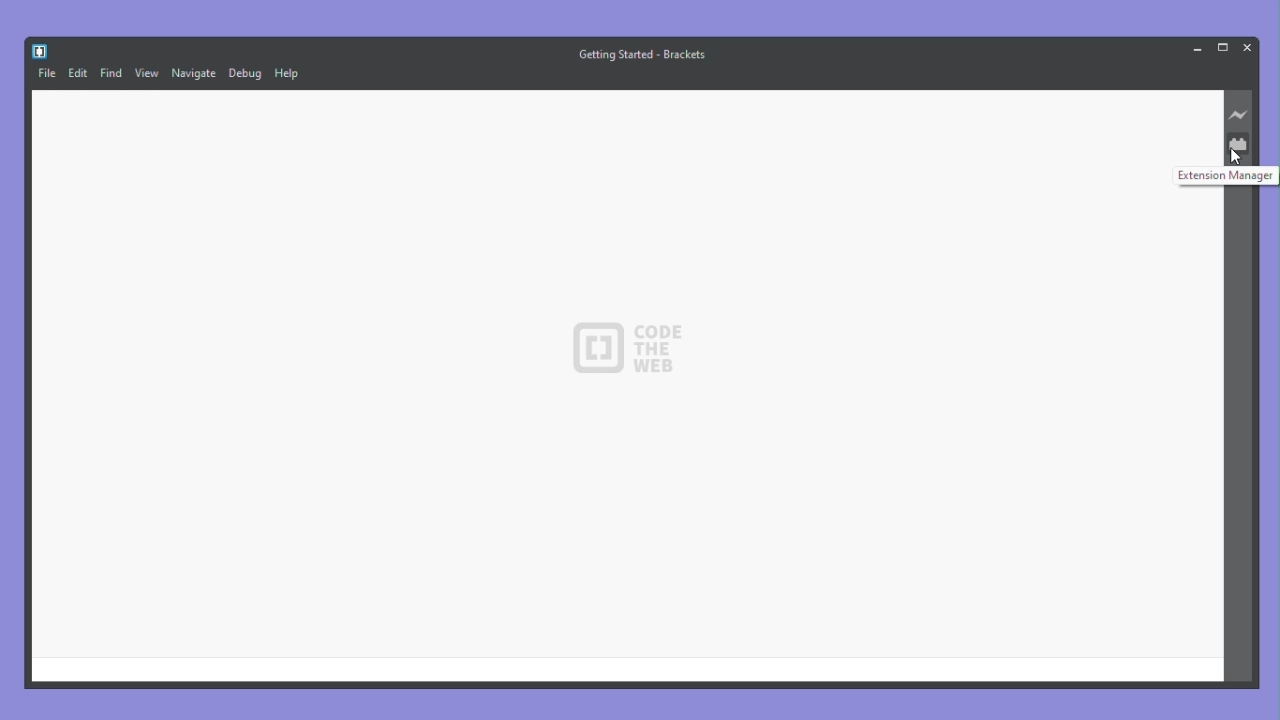 Image resolution: width=1280 pixels, height=720 pixels. I want to click on extension manager, so click(1236, 144).